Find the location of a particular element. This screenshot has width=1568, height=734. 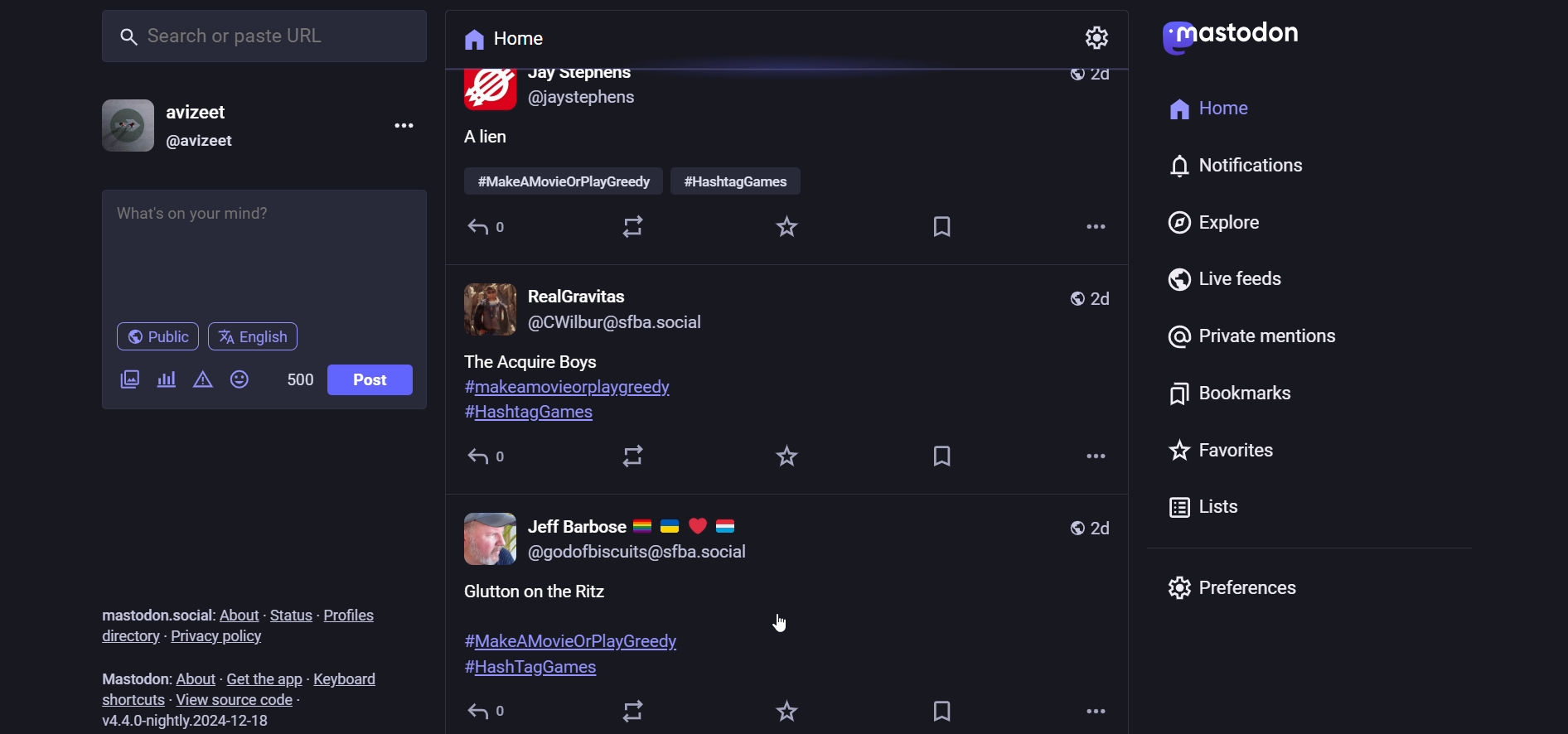

version is located at coordinates (181, 722).